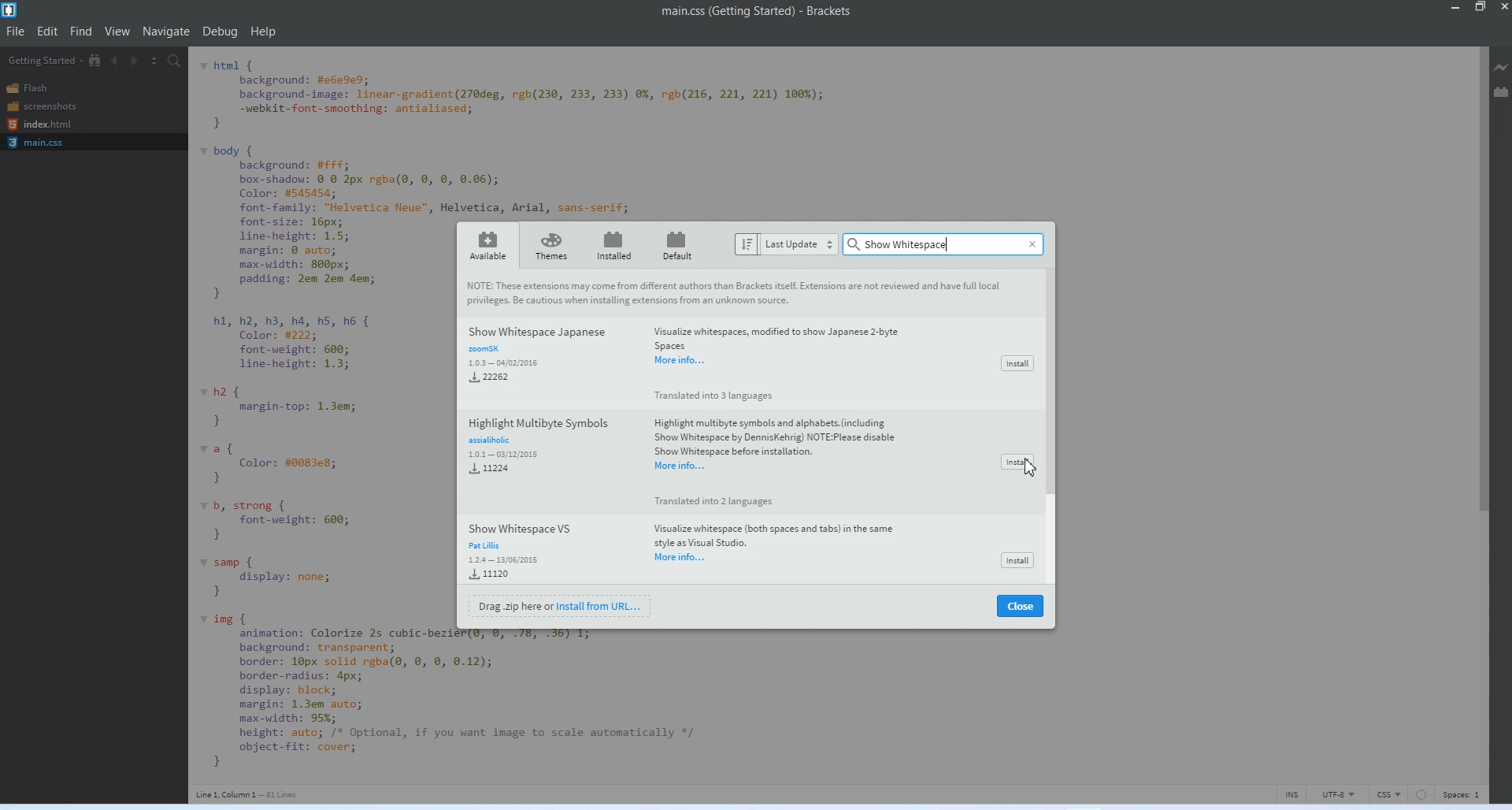  Describe the element at coordinates (49, 31) in the screenshot. I see `Edit` at that location.